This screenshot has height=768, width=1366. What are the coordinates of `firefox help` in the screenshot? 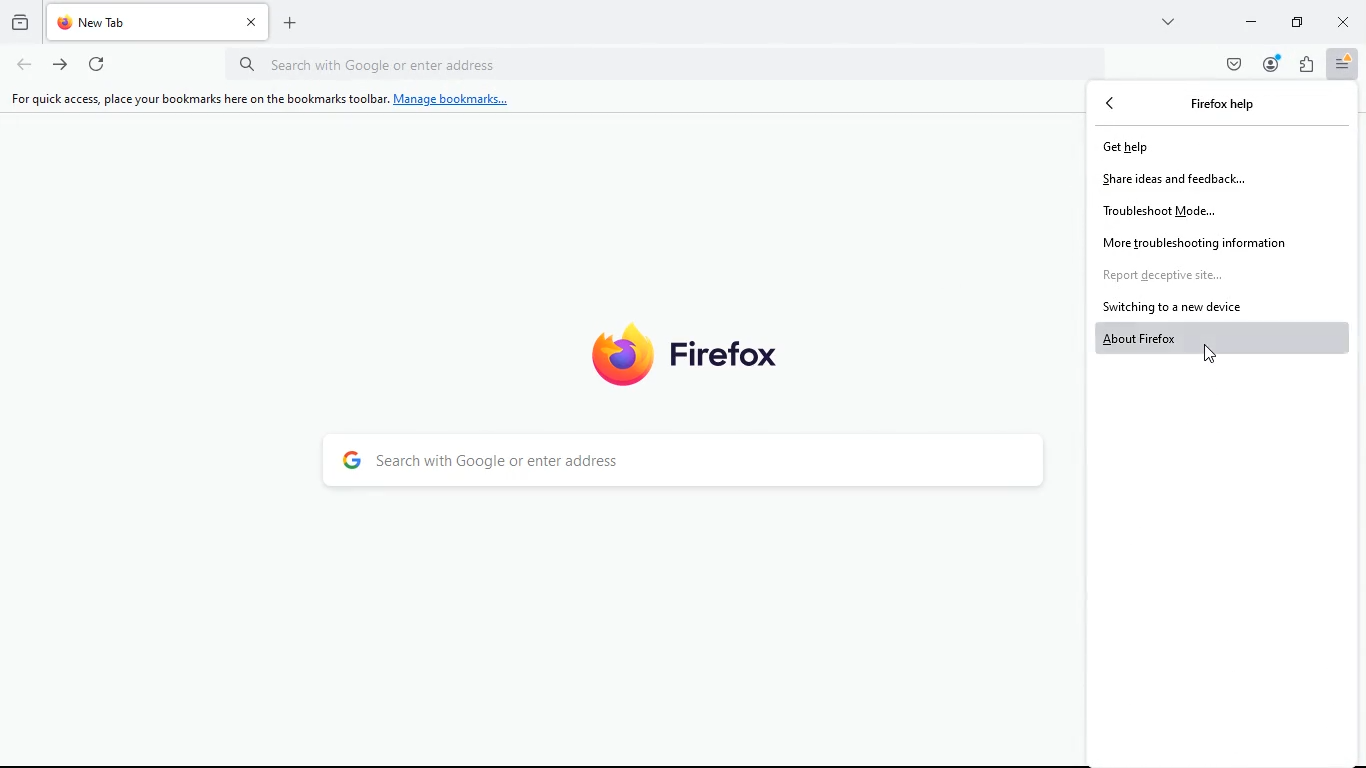 It's located at (1224, 103).